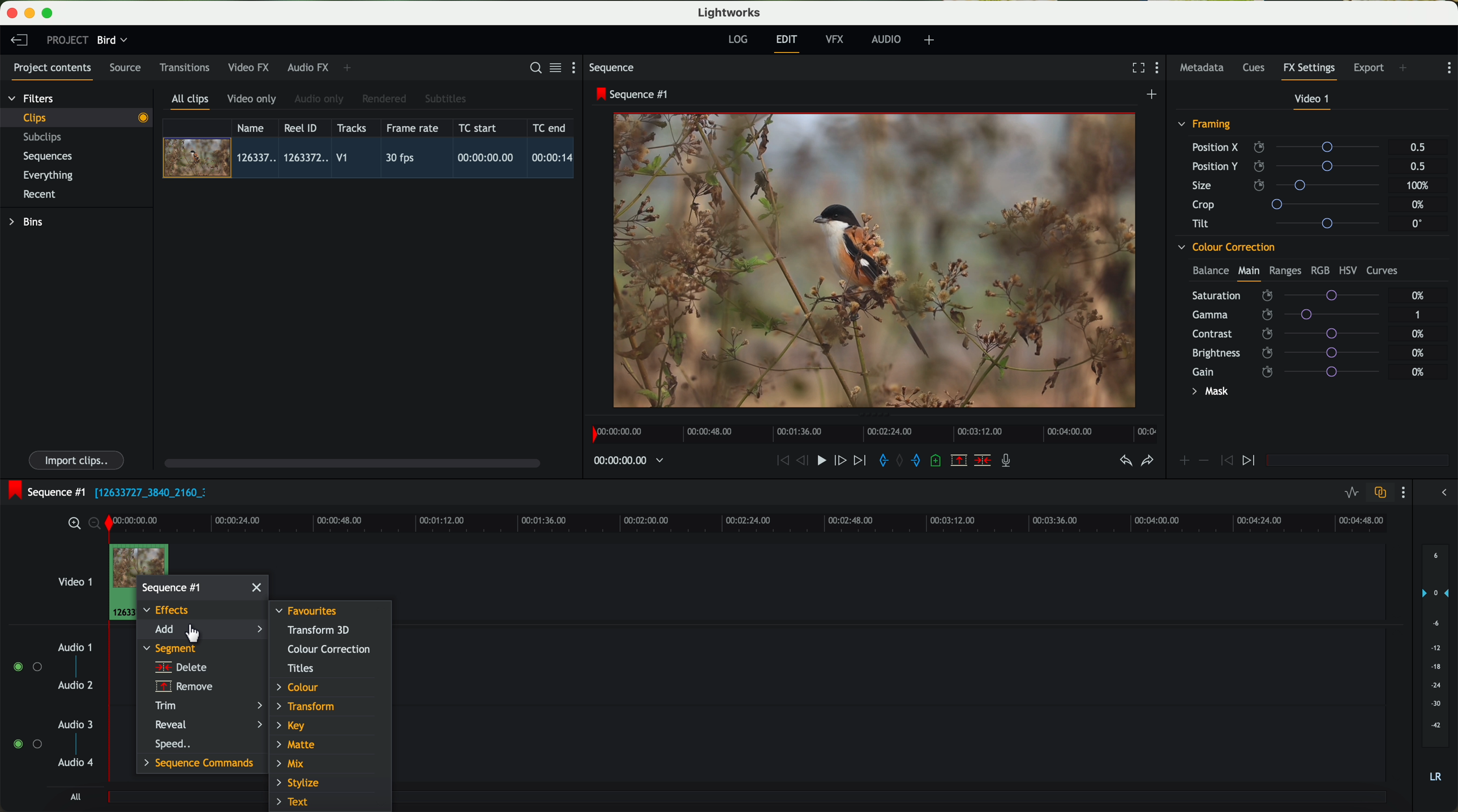 The width and height of the screenshot is (1458, 812). Describe the element at coordinates (1290, 204) in the screenshot. I see `crop` at that location.